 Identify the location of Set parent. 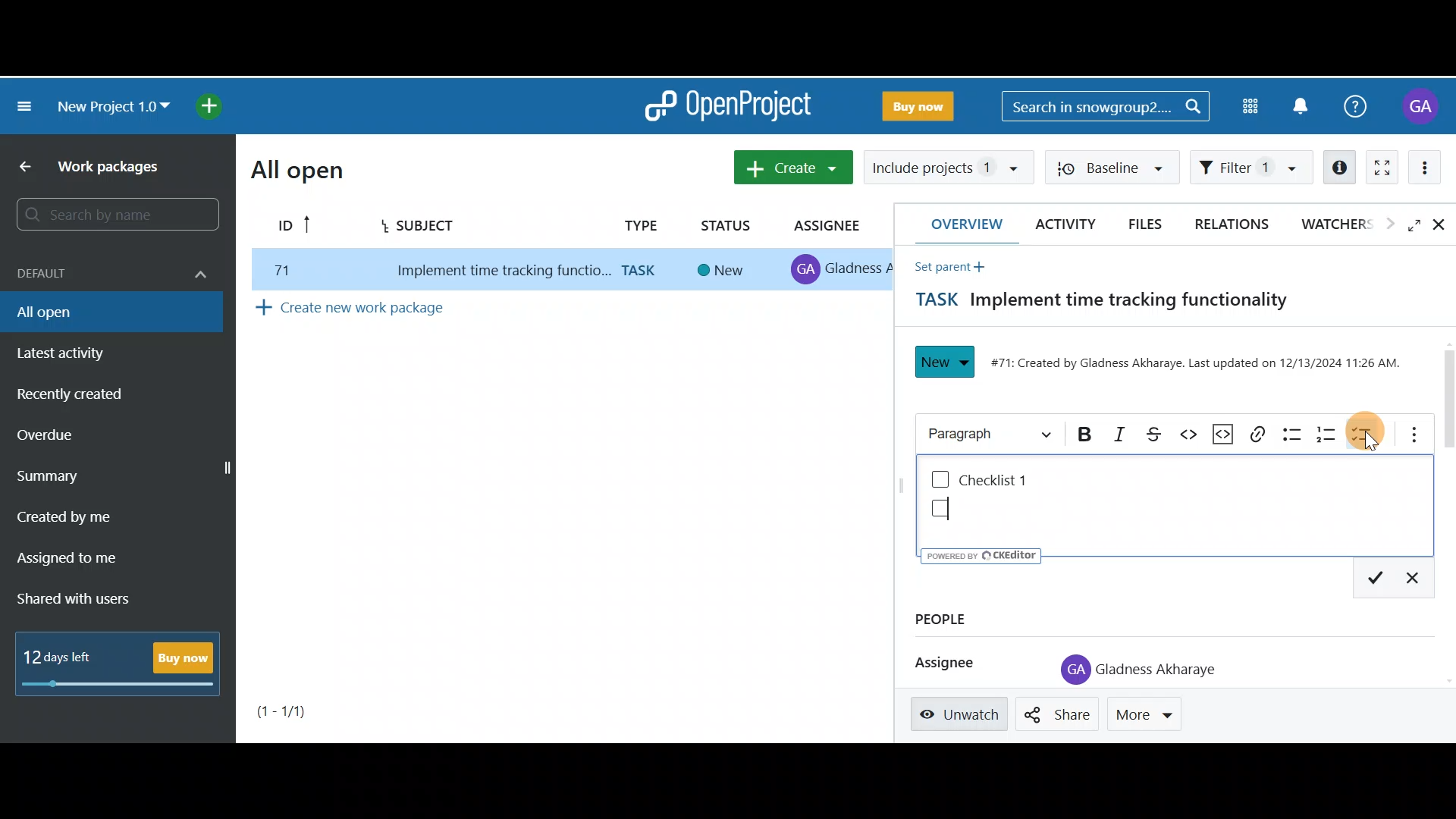
(945, 266).